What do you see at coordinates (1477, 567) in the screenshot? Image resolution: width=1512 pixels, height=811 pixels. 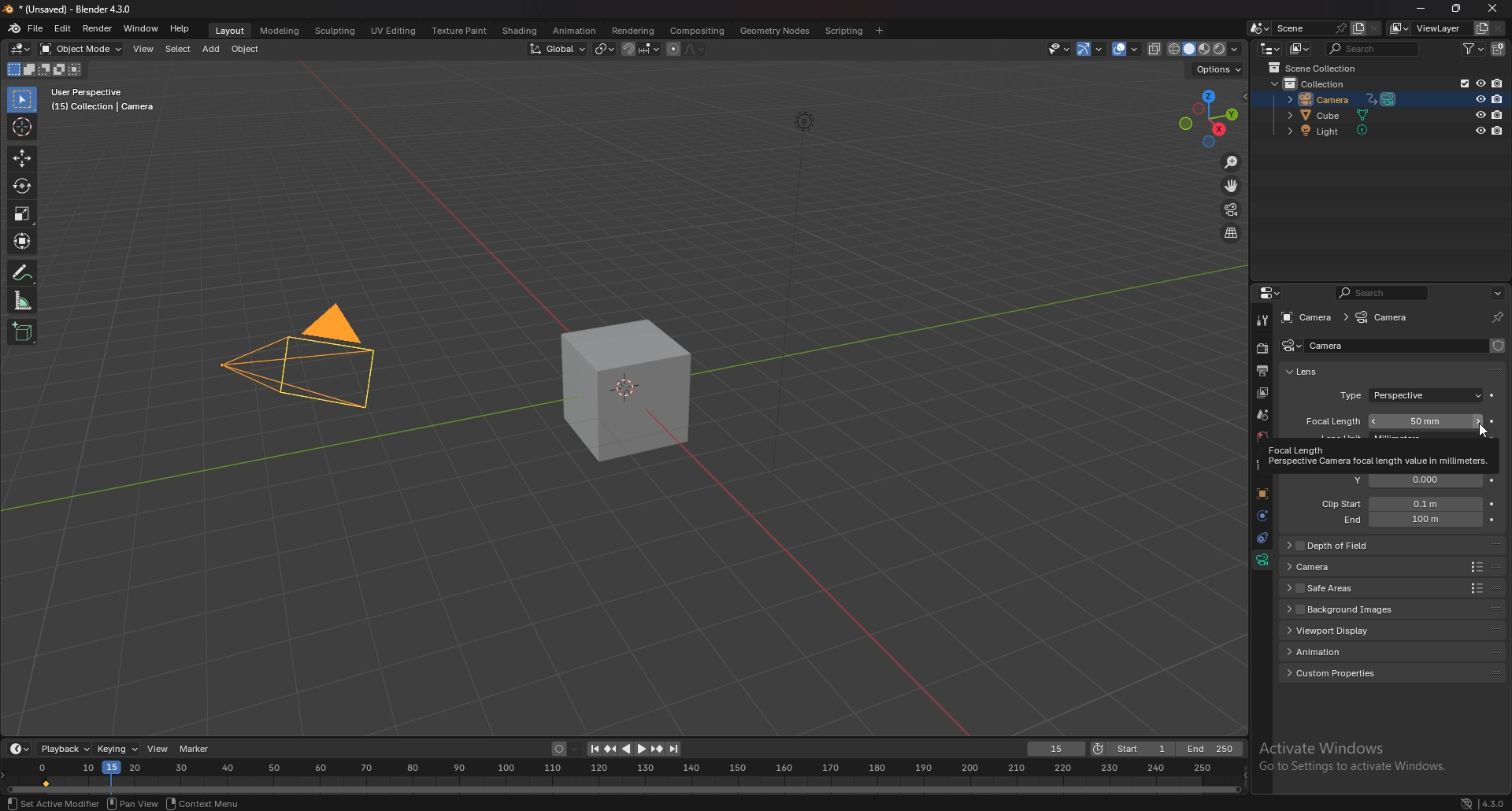 I see `` at bounding box center [1477, 567].